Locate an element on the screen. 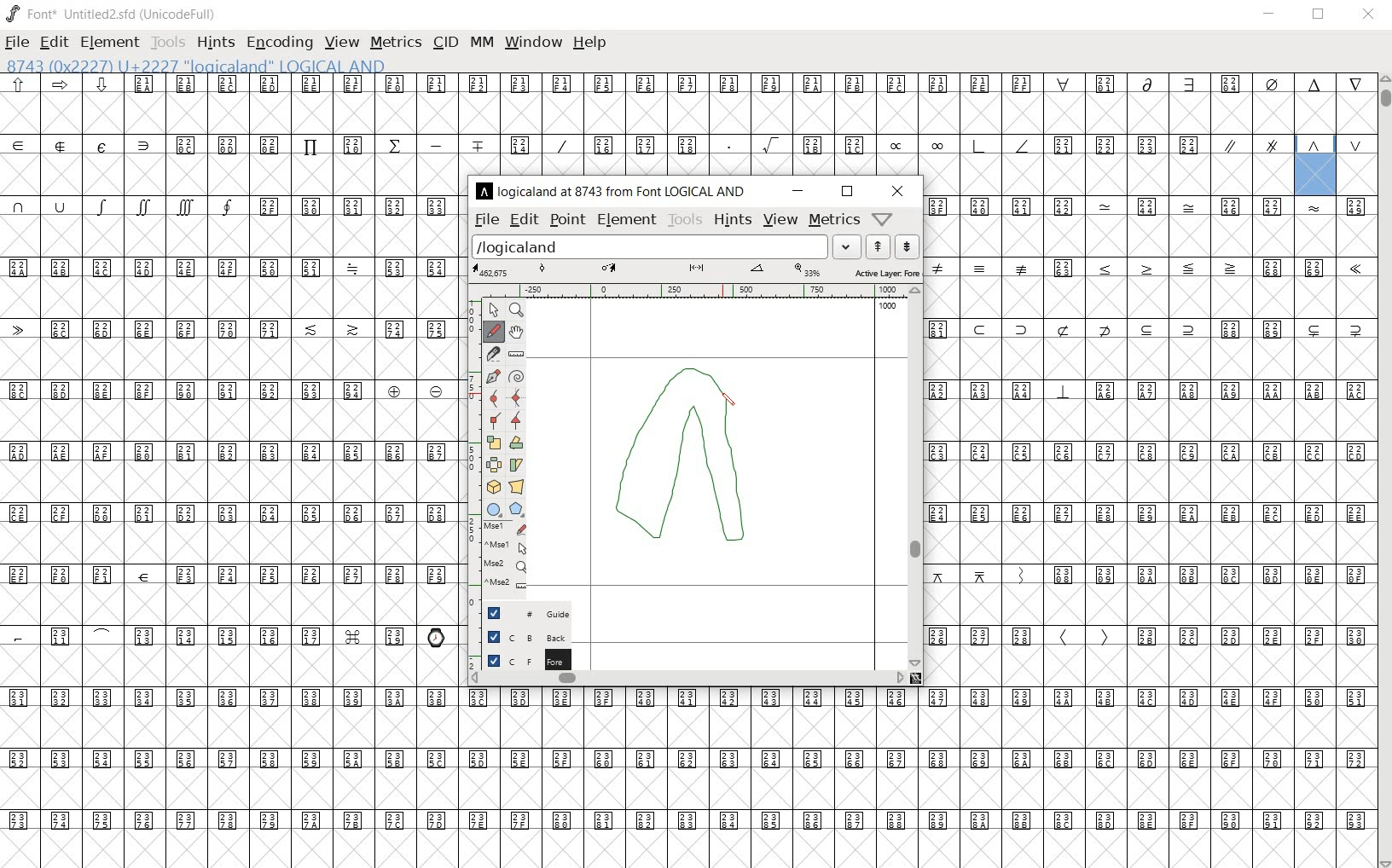 Image resolution: width=1392 pixels, height=868 pixels. metrics is located at coordinates (834, 219).